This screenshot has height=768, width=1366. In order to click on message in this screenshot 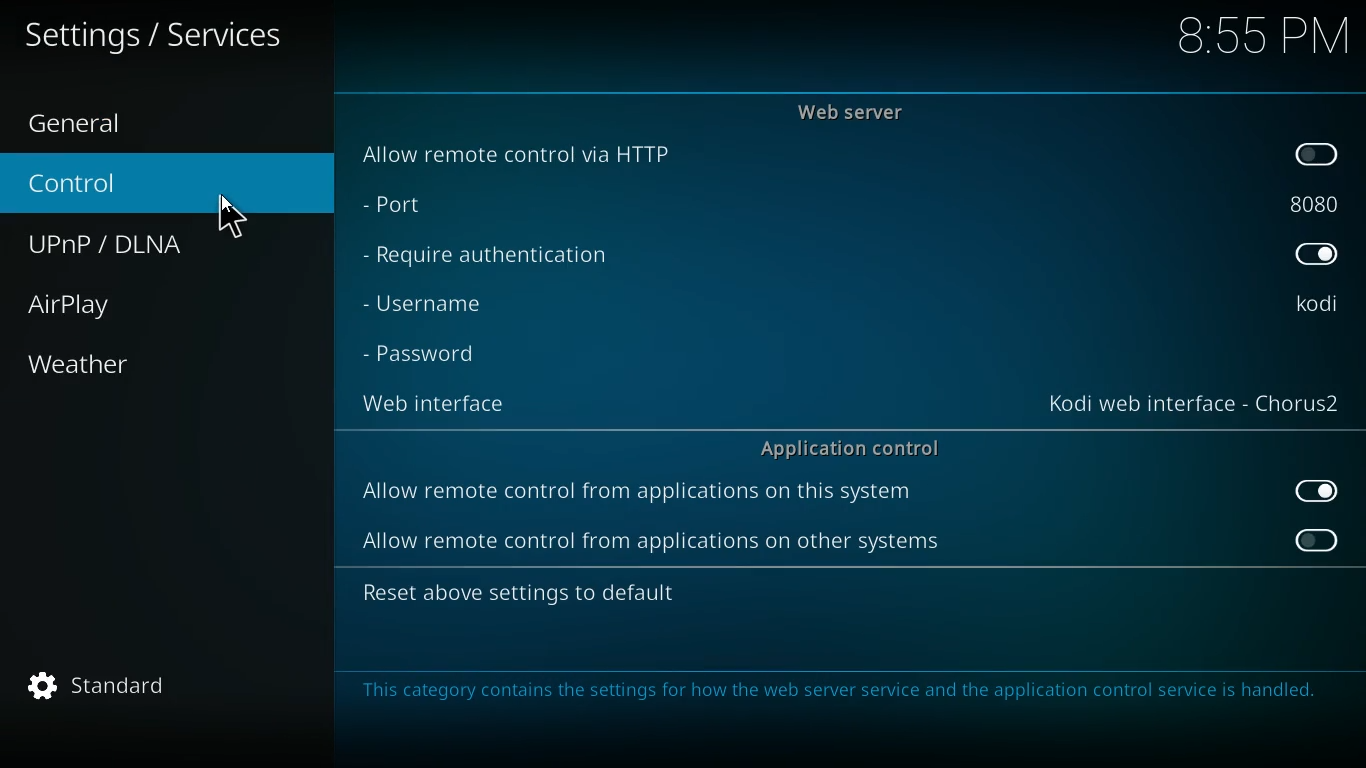, I will do `click(842, 693)`.